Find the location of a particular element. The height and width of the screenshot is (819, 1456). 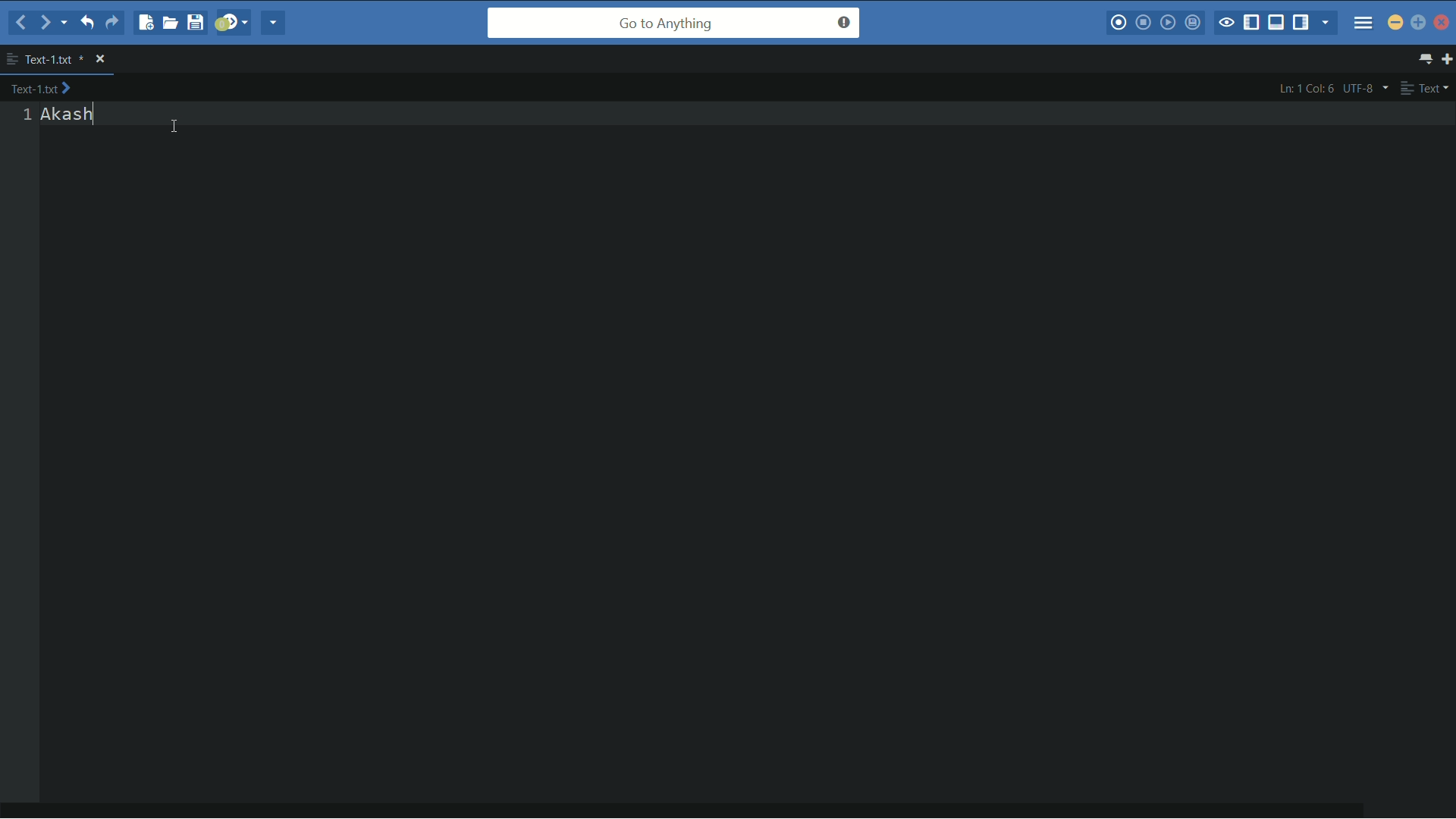

menu is located at coordinates (1363, 22).